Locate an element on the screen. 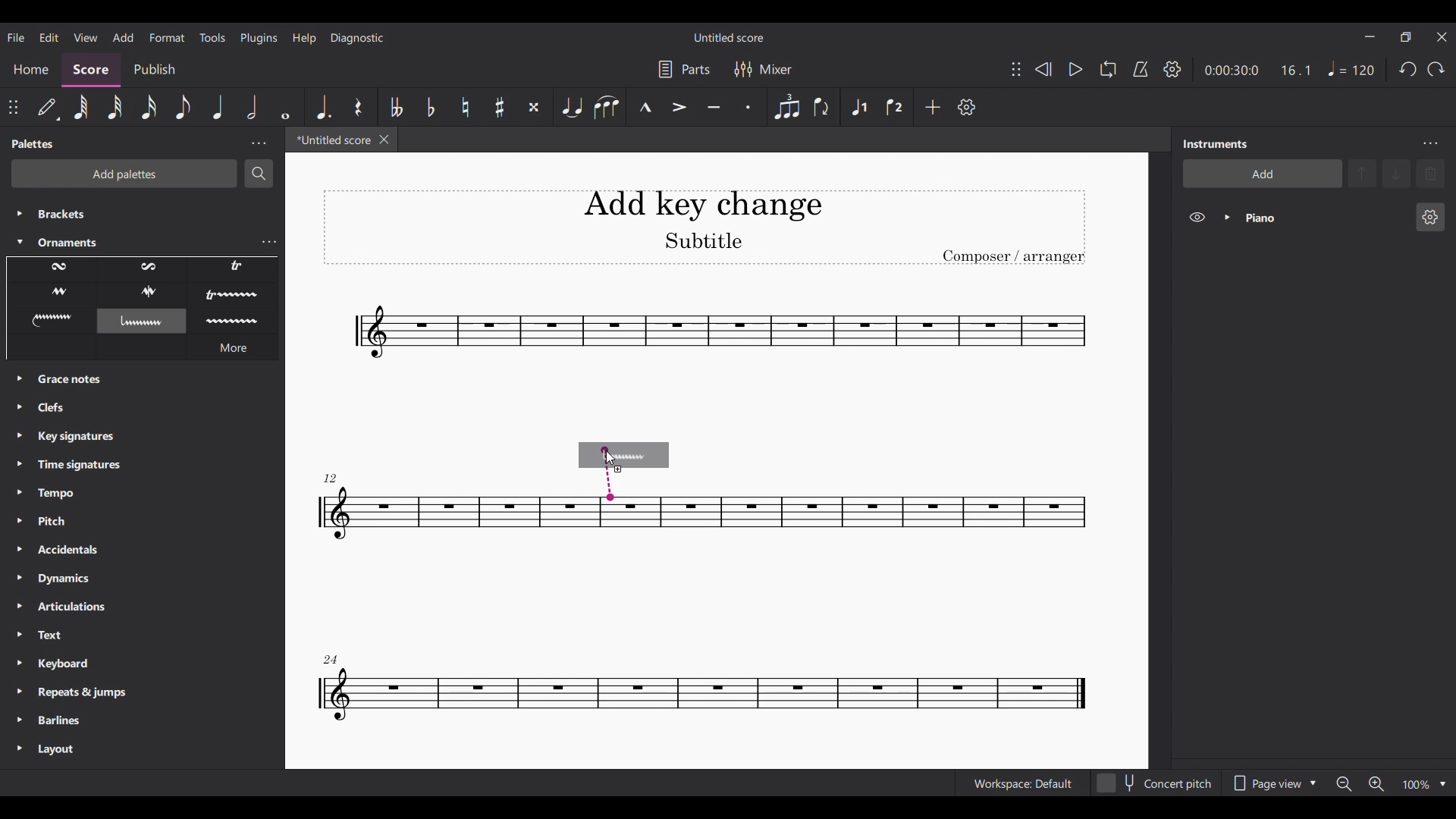 The width and height of the screenshot is (1456, 819). Flip direction is located at coordinates (824, 107).